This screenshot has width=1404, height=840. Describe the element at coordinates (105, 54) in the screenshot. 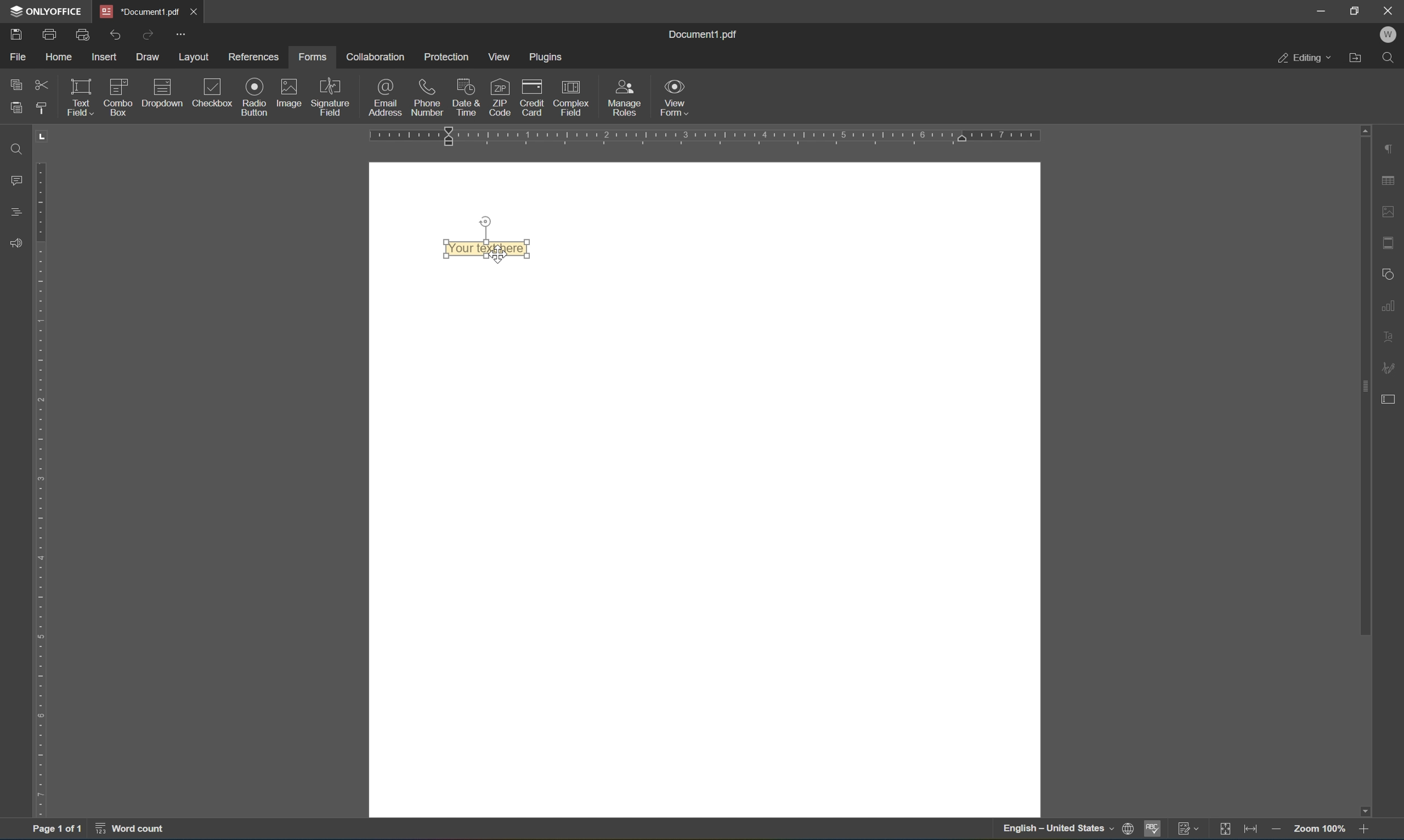

I see `insert` at that location.